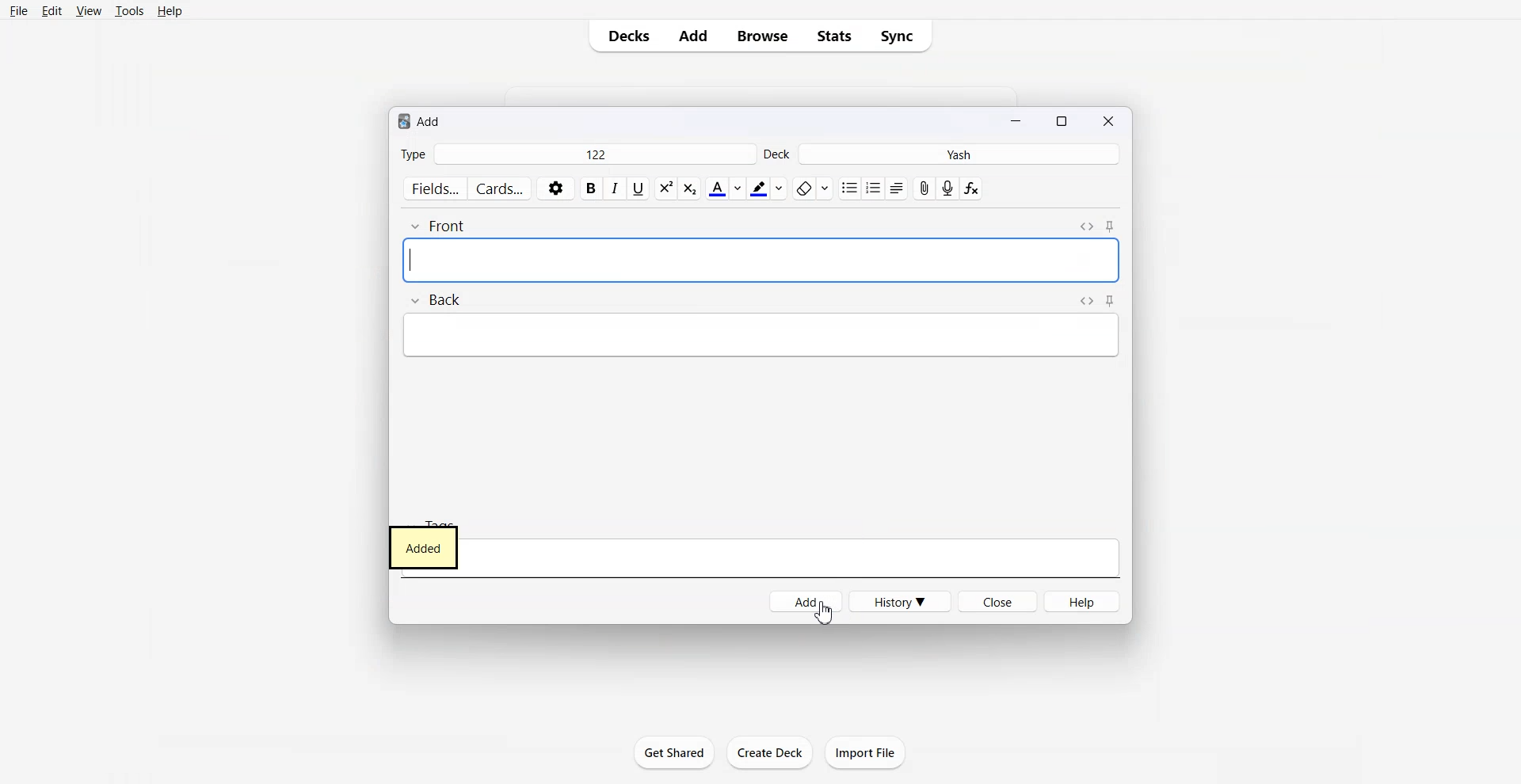 This screenshot has width=1521, height=784. Describe the element at coordinates (639, 188) in the screenshot. I see `Underline` at that location.